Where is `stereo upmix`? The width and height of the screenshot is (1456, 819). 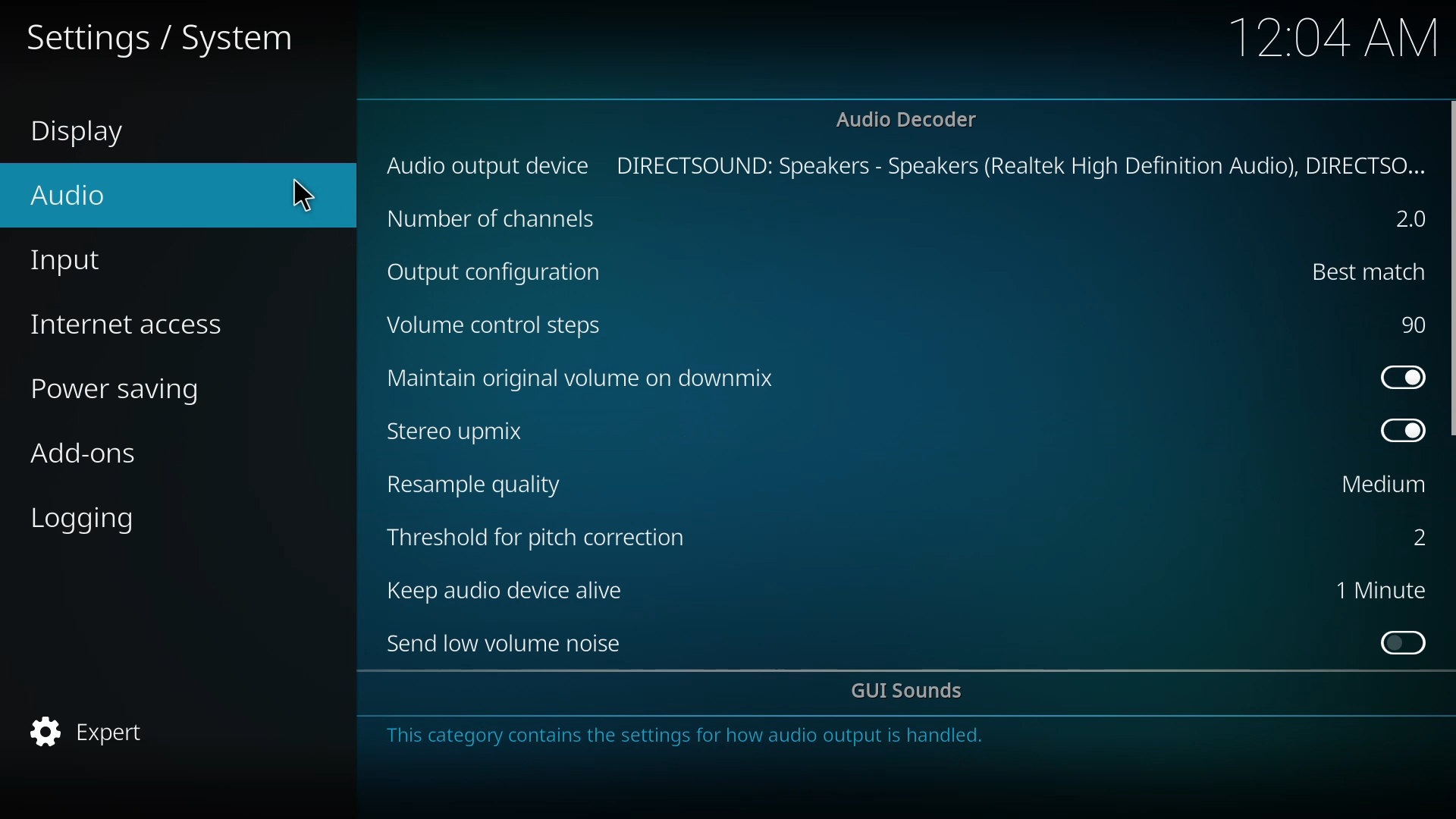 stereo upmix is located at coordinates (466, 431).